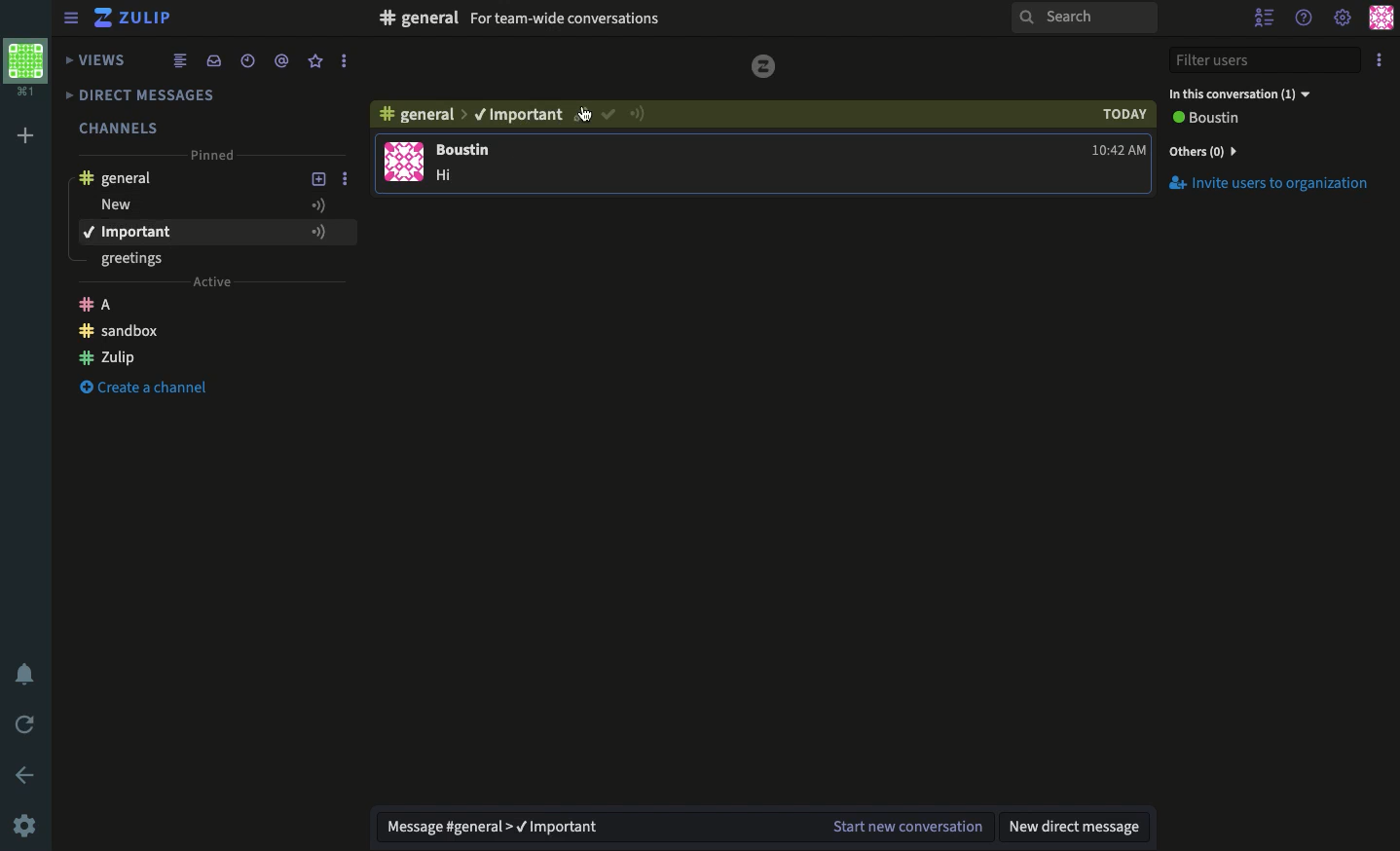  I want to click on Inbox, so click(614, 20).